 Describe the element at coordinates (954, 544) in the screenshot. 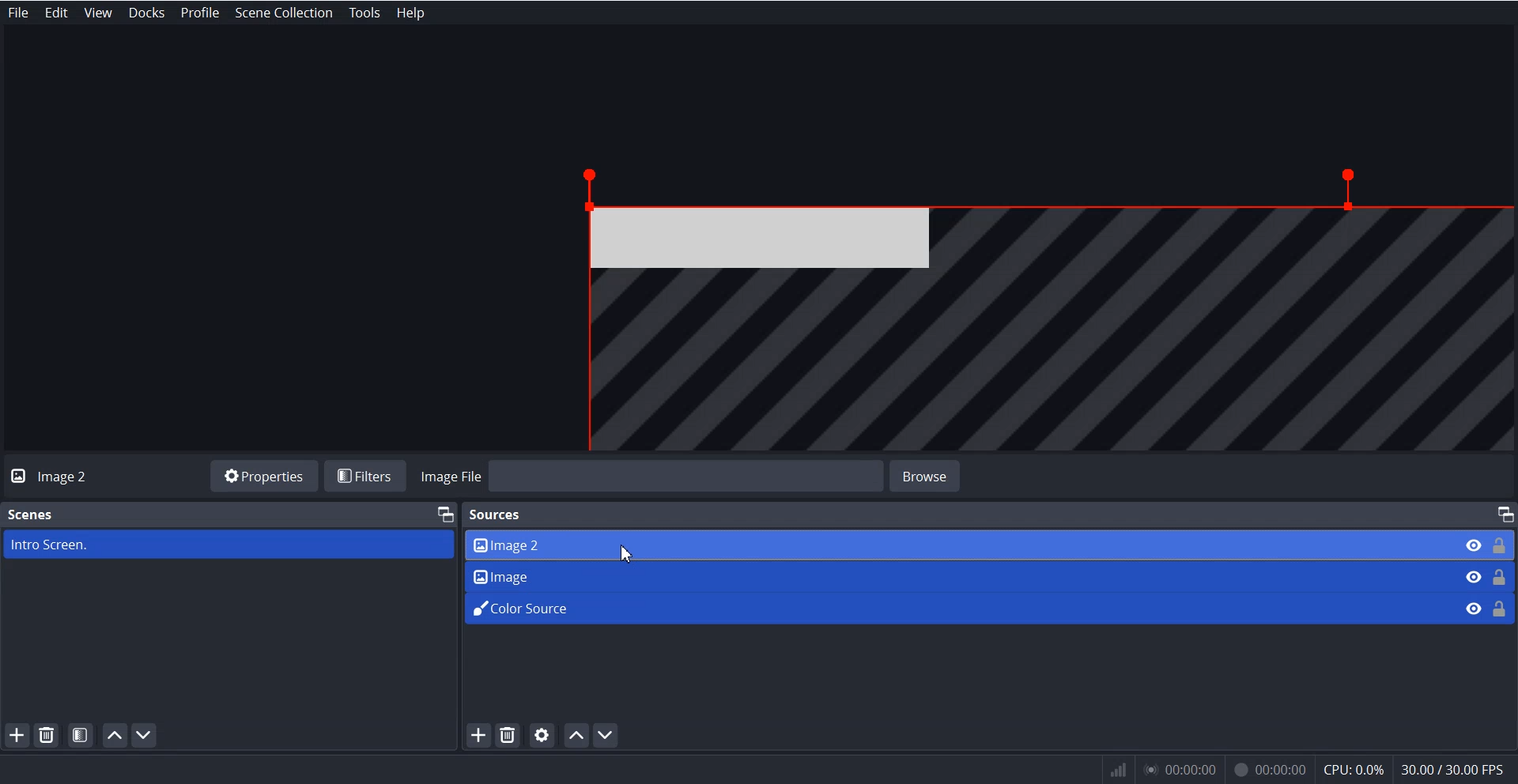

I see `Image 2` at that location.